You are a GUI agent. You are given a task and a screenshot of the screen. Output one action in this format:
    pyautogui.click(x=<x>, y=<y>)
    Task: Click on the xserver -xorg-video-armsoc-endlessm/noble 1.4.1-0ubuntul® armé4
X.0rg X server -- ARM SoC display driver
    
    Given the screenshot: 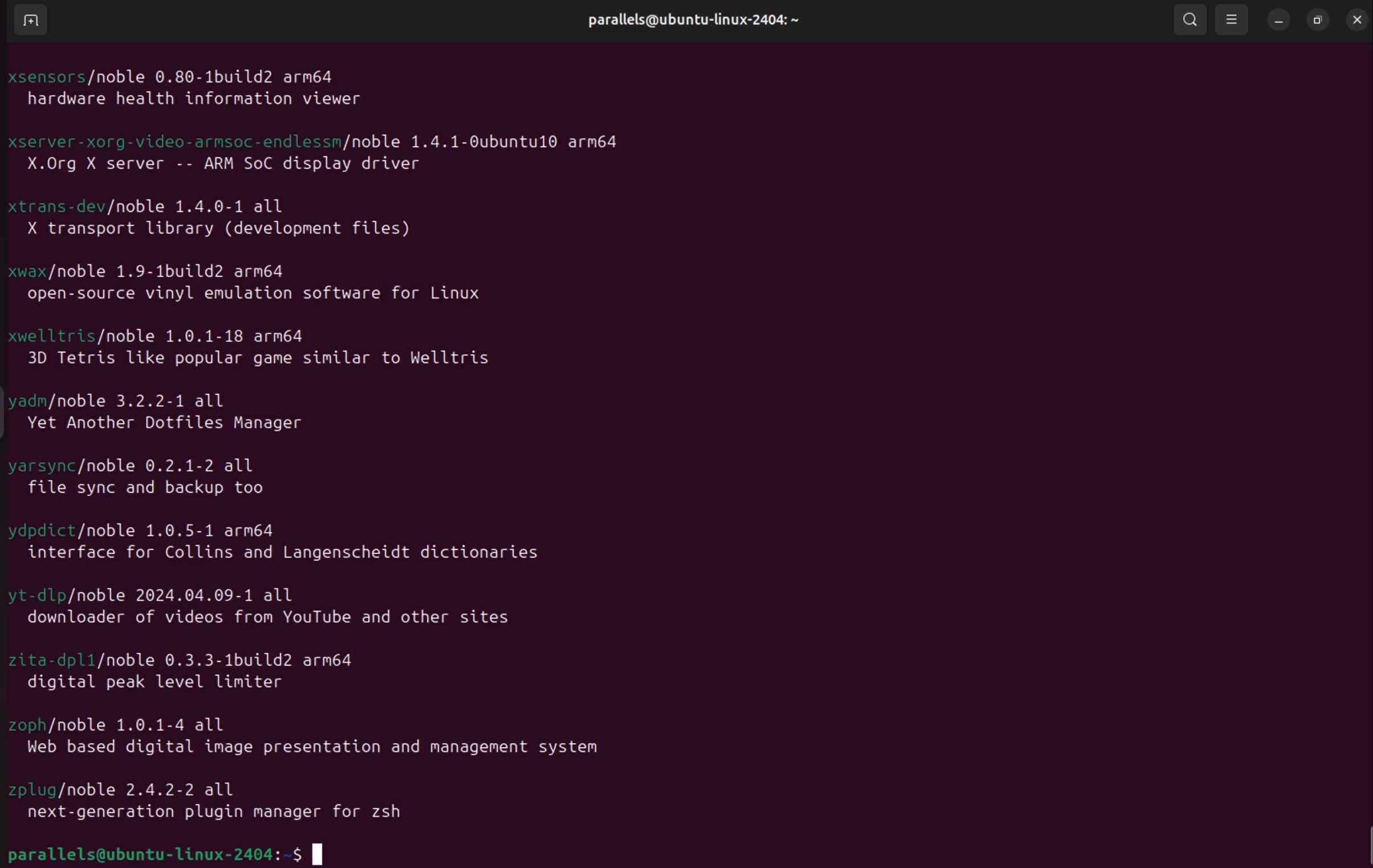 What is the action you would take?
    pyautogui.click(x=350, y=156)
    